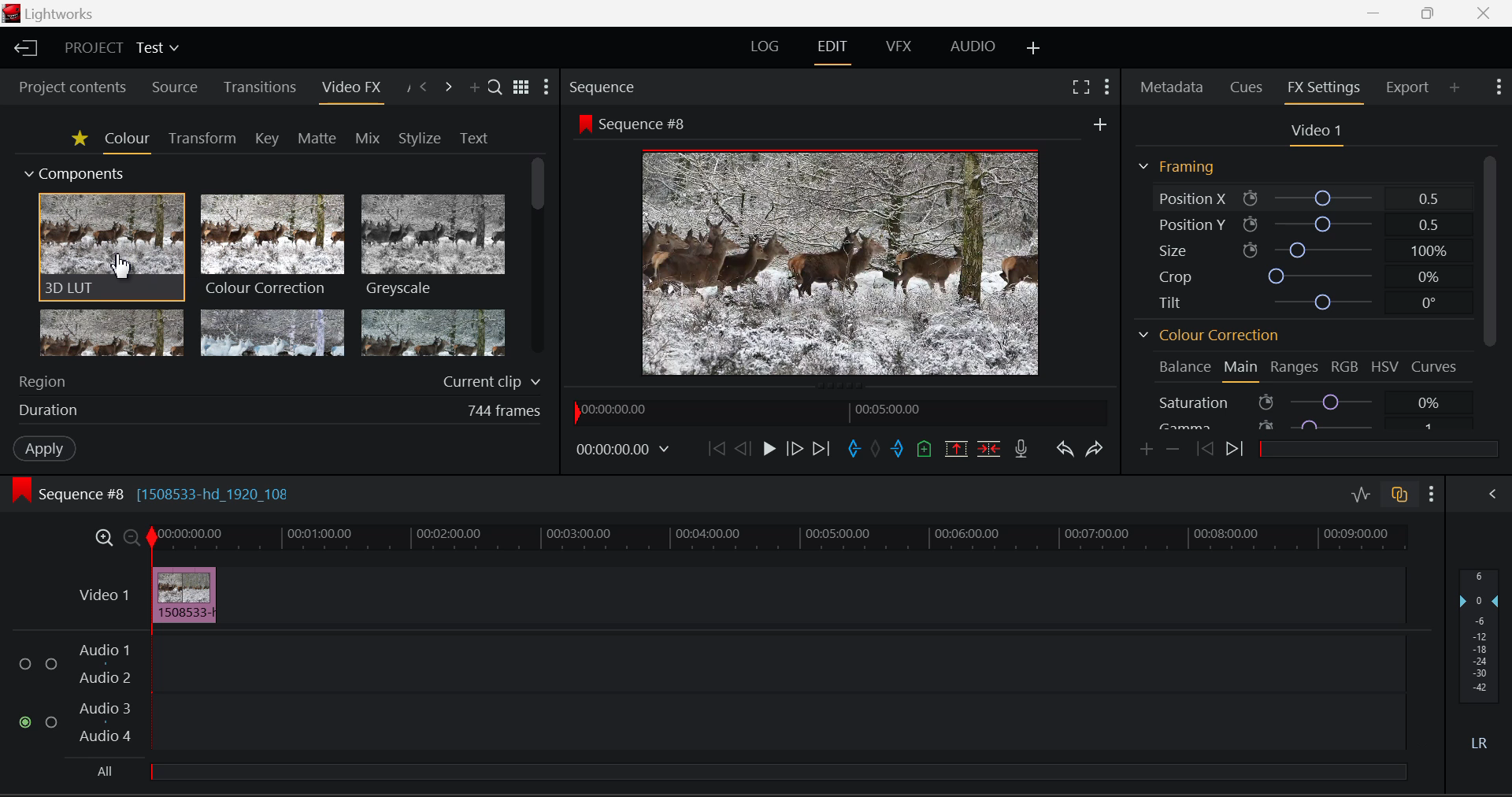 Image resolution: width=1512 pixels, height=797 pixels. I want to click on LOG Layout, so click(766, 51).